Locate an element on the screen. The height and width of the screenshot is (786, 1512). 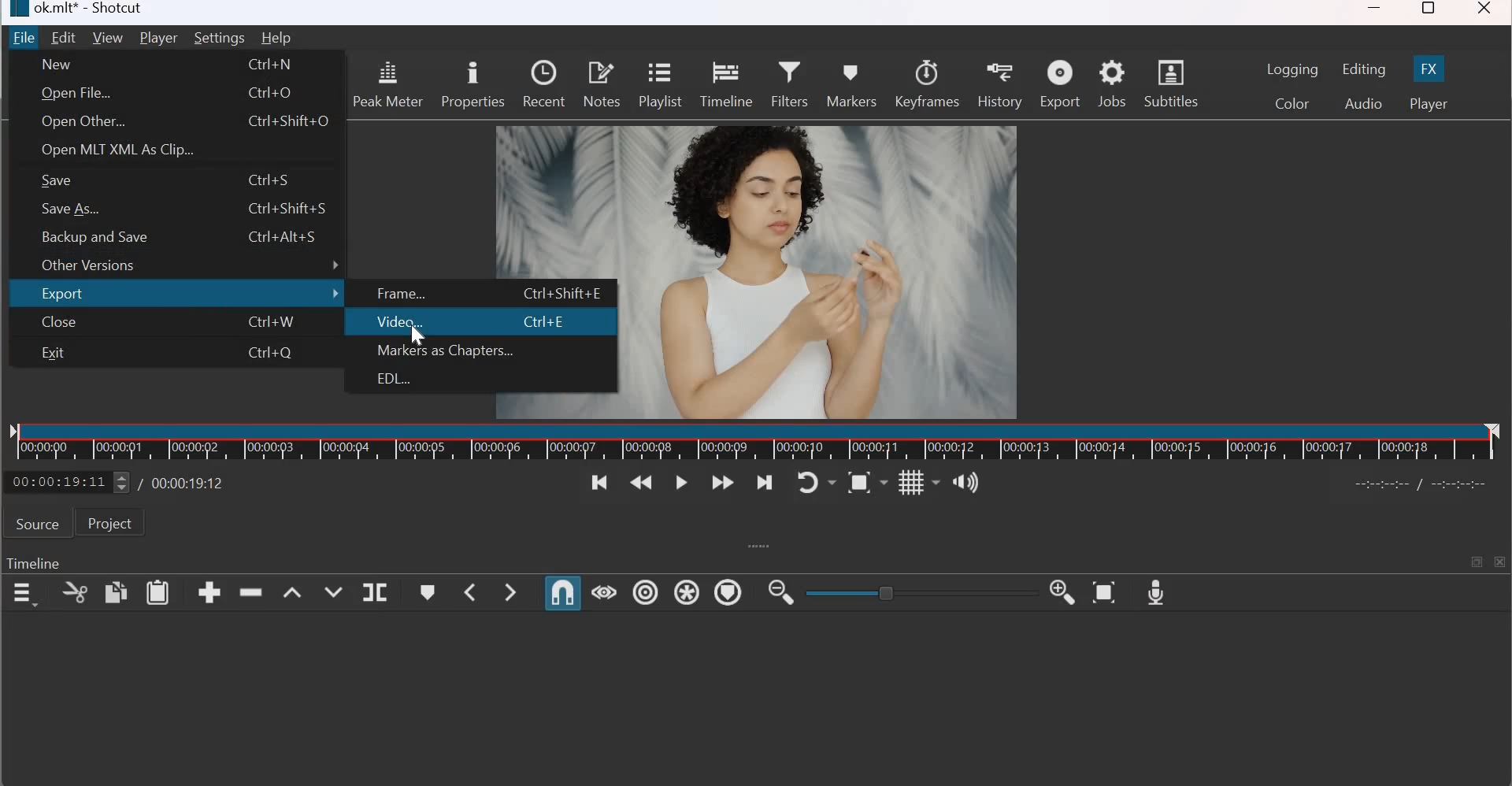
Toggle zoom is located at coordinates (867, 480).